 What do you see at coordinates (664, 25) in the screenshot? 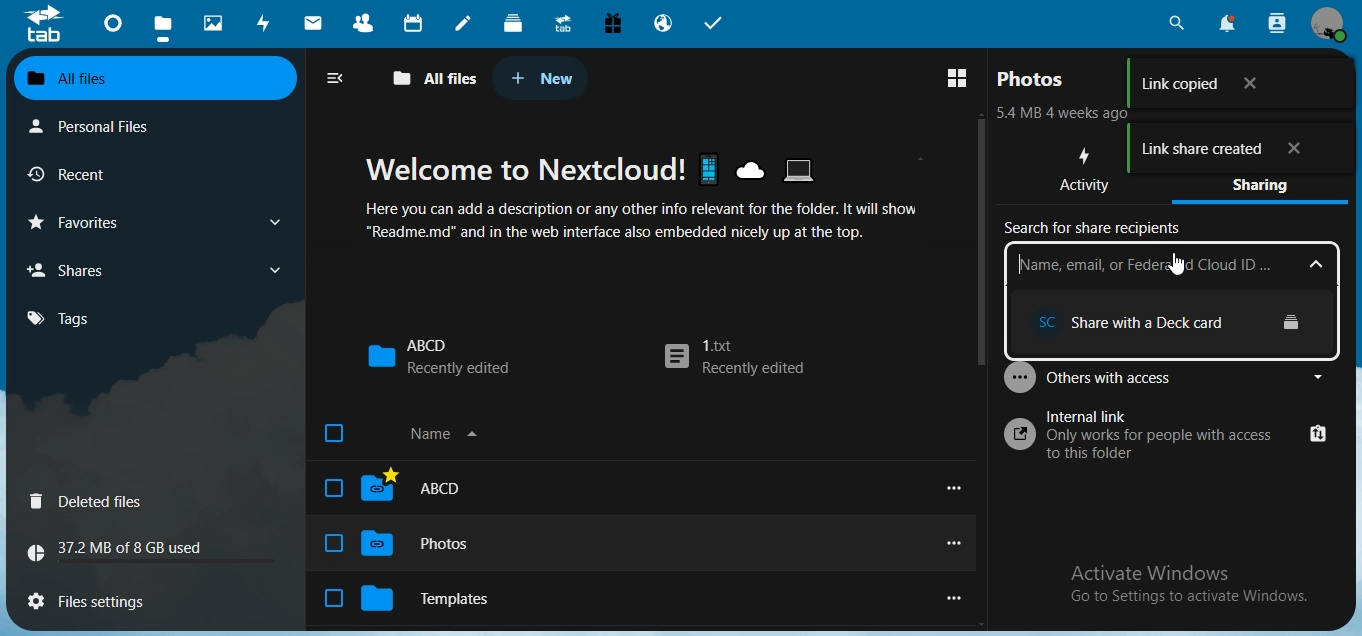
I see `email hosting` at bounding box center [664, 25].